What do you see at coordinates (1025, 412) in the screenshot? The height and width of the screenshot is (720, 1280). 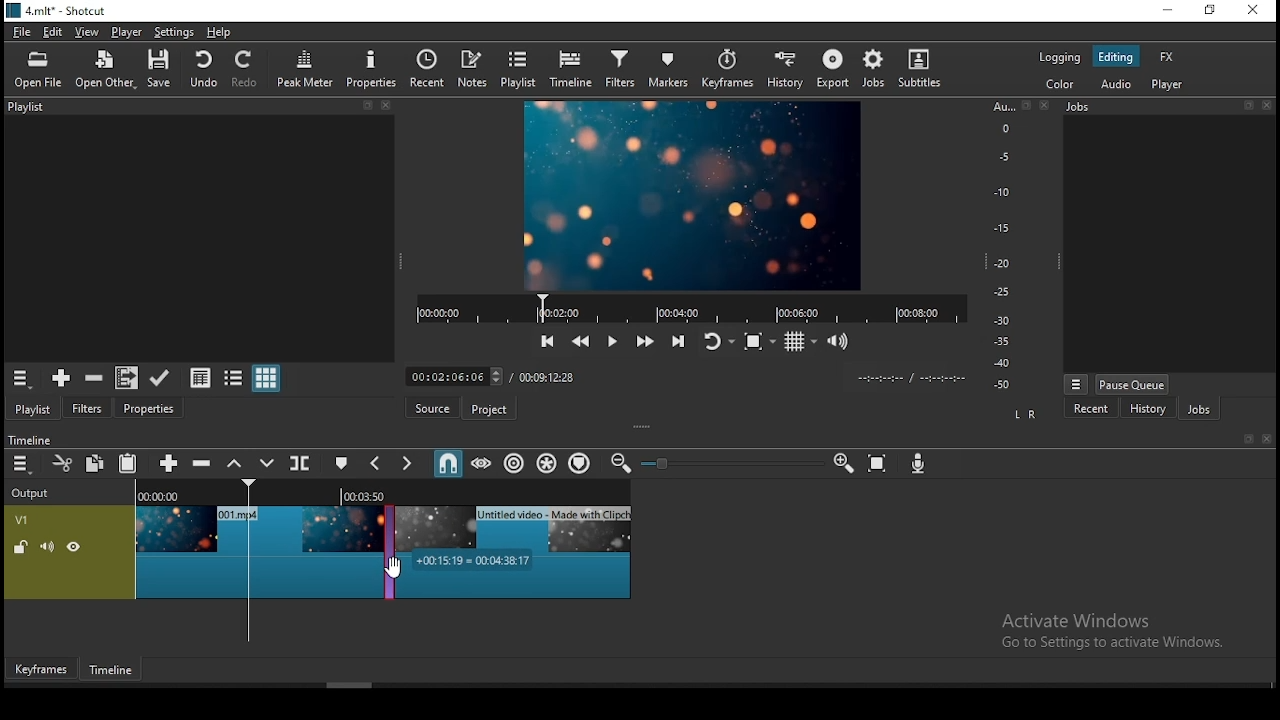 I see `L R` at bounding box center [1025, 412].